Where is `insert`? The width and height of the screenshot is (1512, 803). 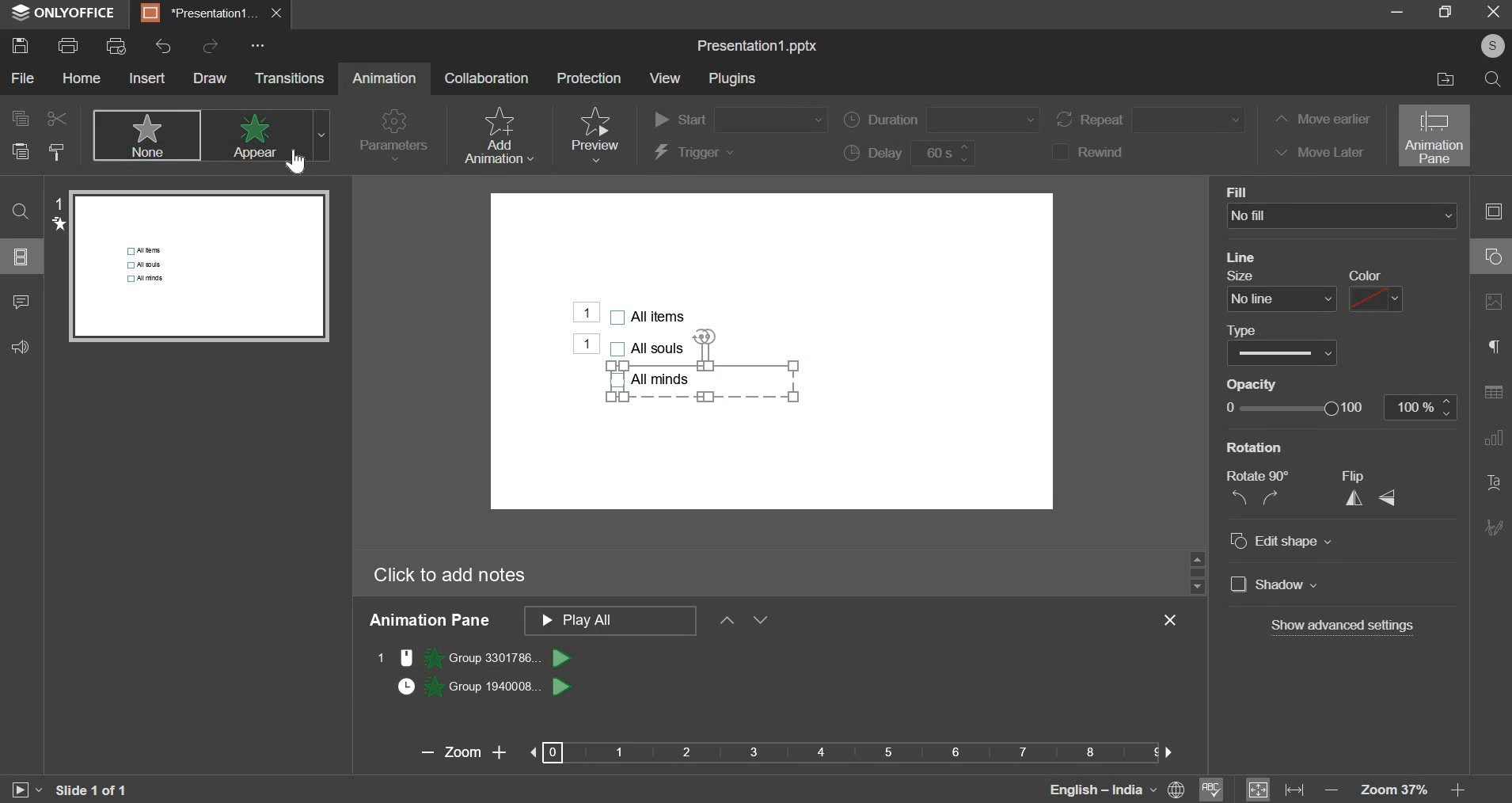 insert is located at coordinates (146, 78).